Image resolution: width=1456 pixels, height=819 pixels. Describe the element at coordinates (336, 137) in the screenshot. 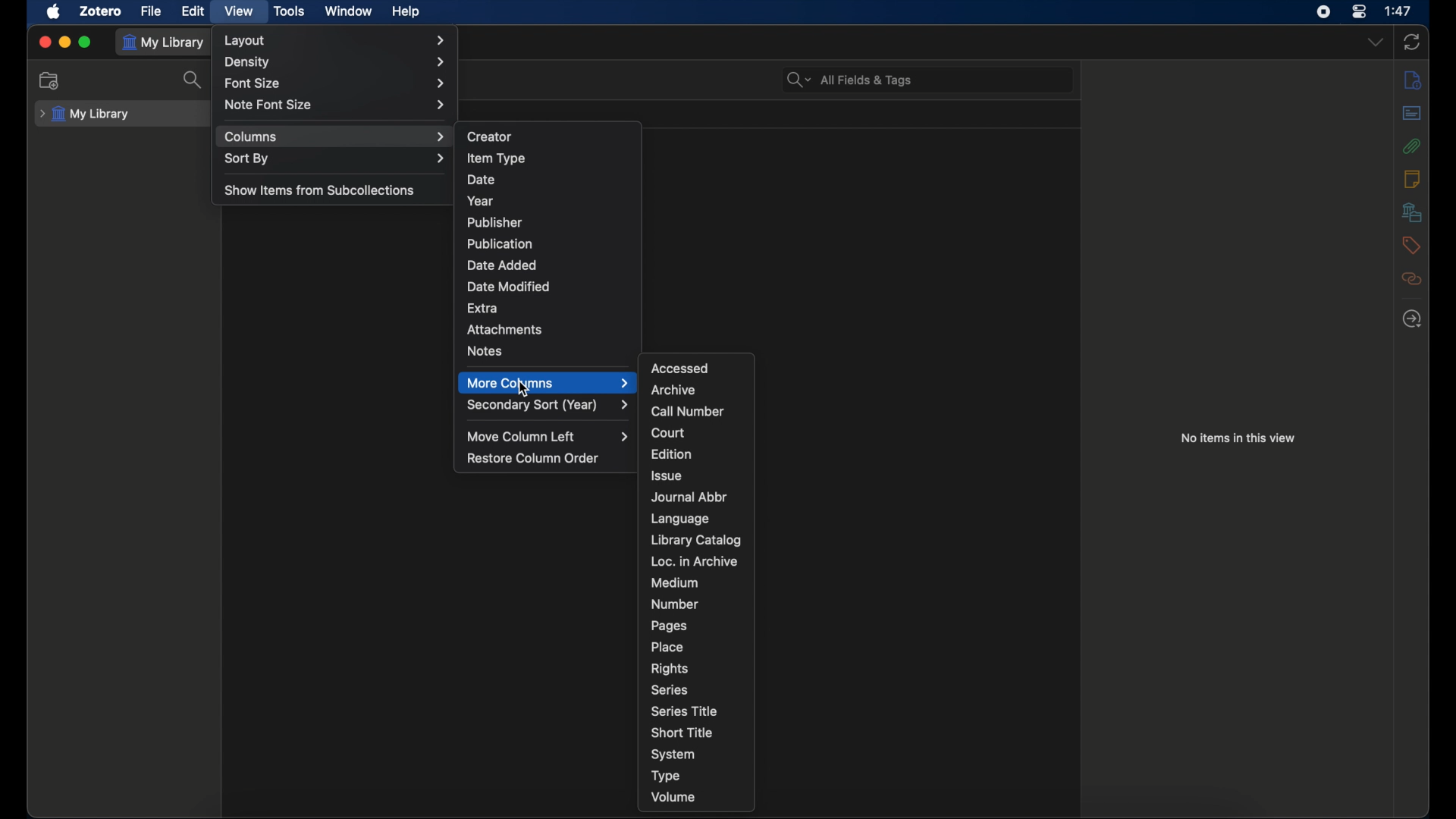

I see `columns` at that location.